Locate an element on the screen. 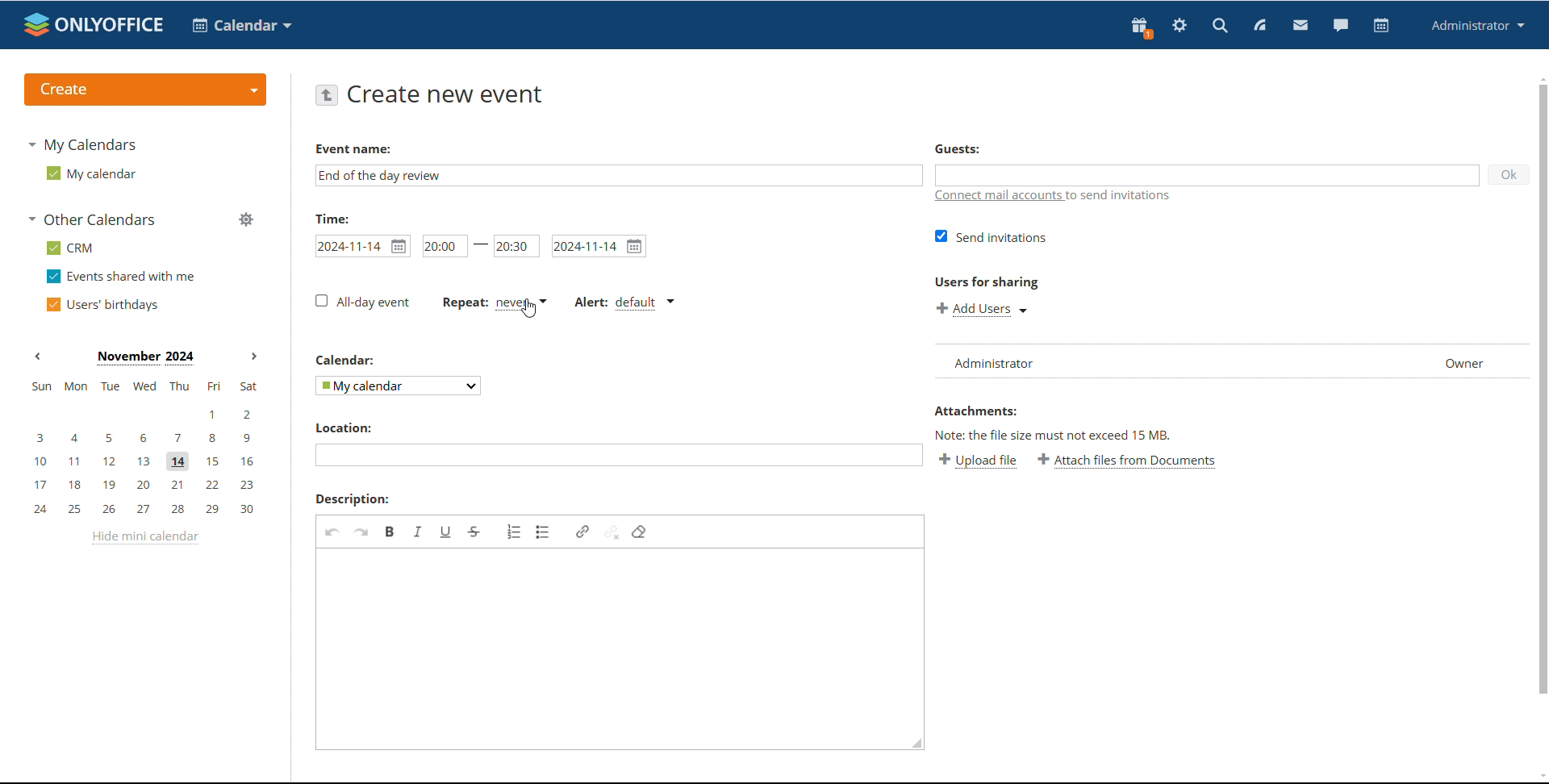 This screenshot has height=784, width=1549. Month on display is located at coordinates (145, 358).